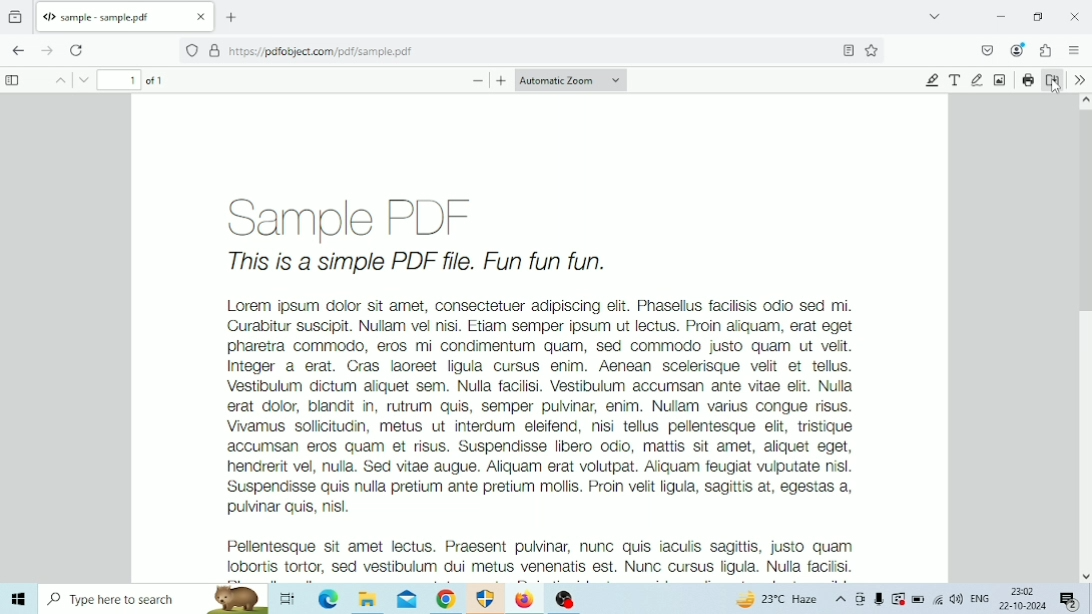 The image size is (1092, 614). What do you see at coordinates (120, 79) in the screenshot?
I see `Page number` at bounding box center [120, 79].